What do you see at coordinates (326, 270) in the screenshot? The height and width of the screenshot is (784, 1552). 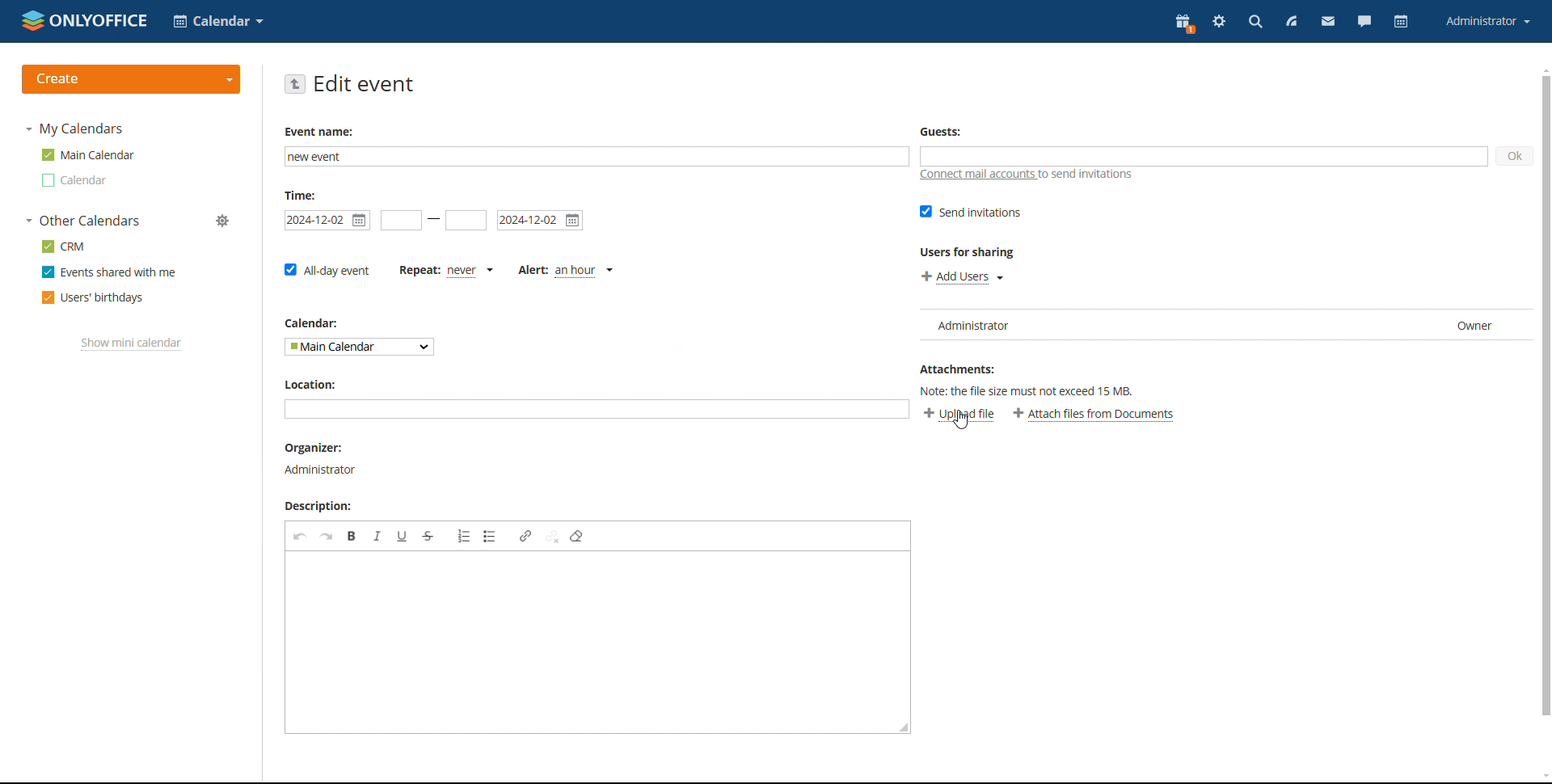 I see `all-day event` at bounding box center [326, 270].